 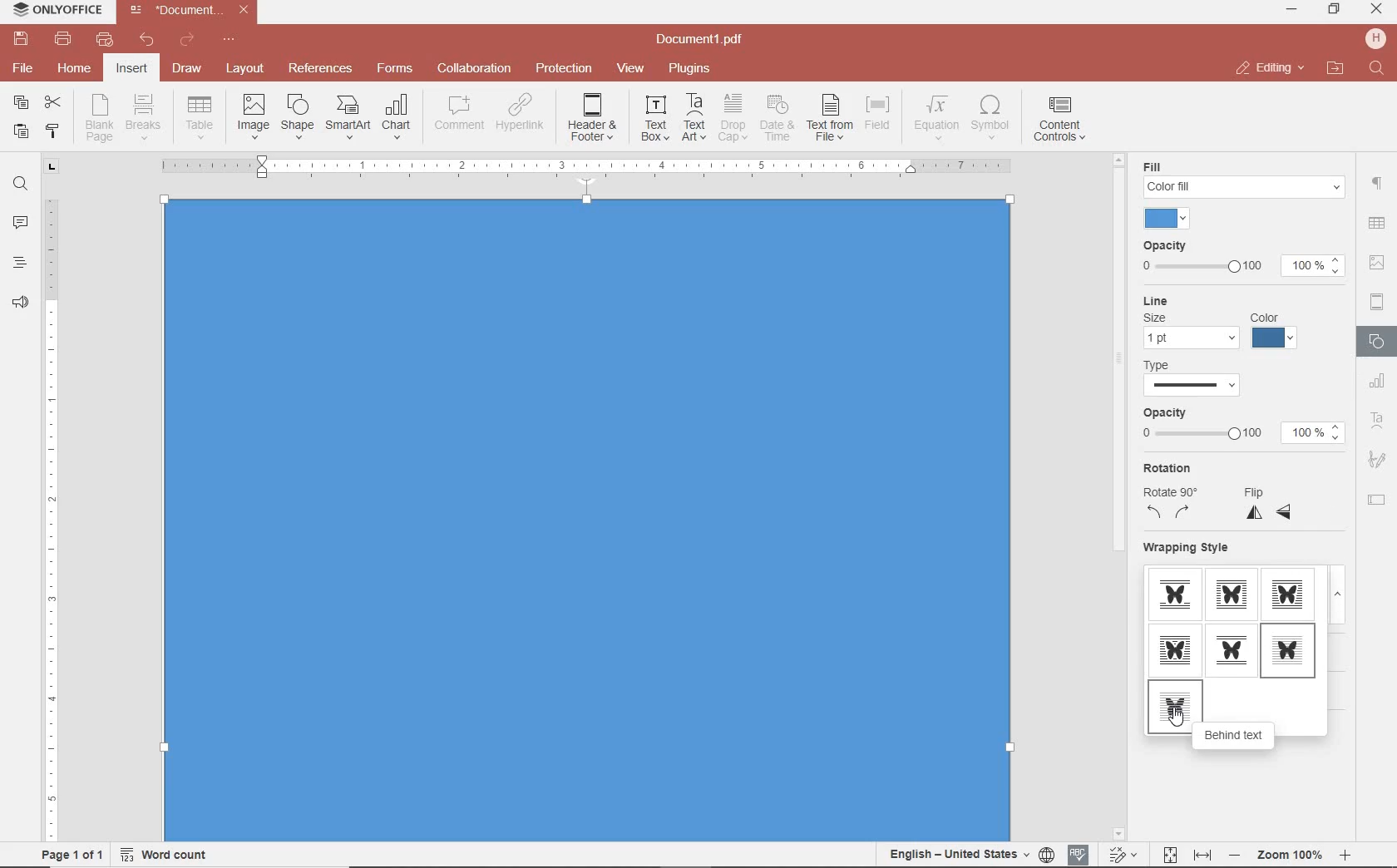 What do you see at coordinates (1378, 303) in the screenshot?
I see `HEADERS & FOOTERS` at bounding box center [1378, 303].